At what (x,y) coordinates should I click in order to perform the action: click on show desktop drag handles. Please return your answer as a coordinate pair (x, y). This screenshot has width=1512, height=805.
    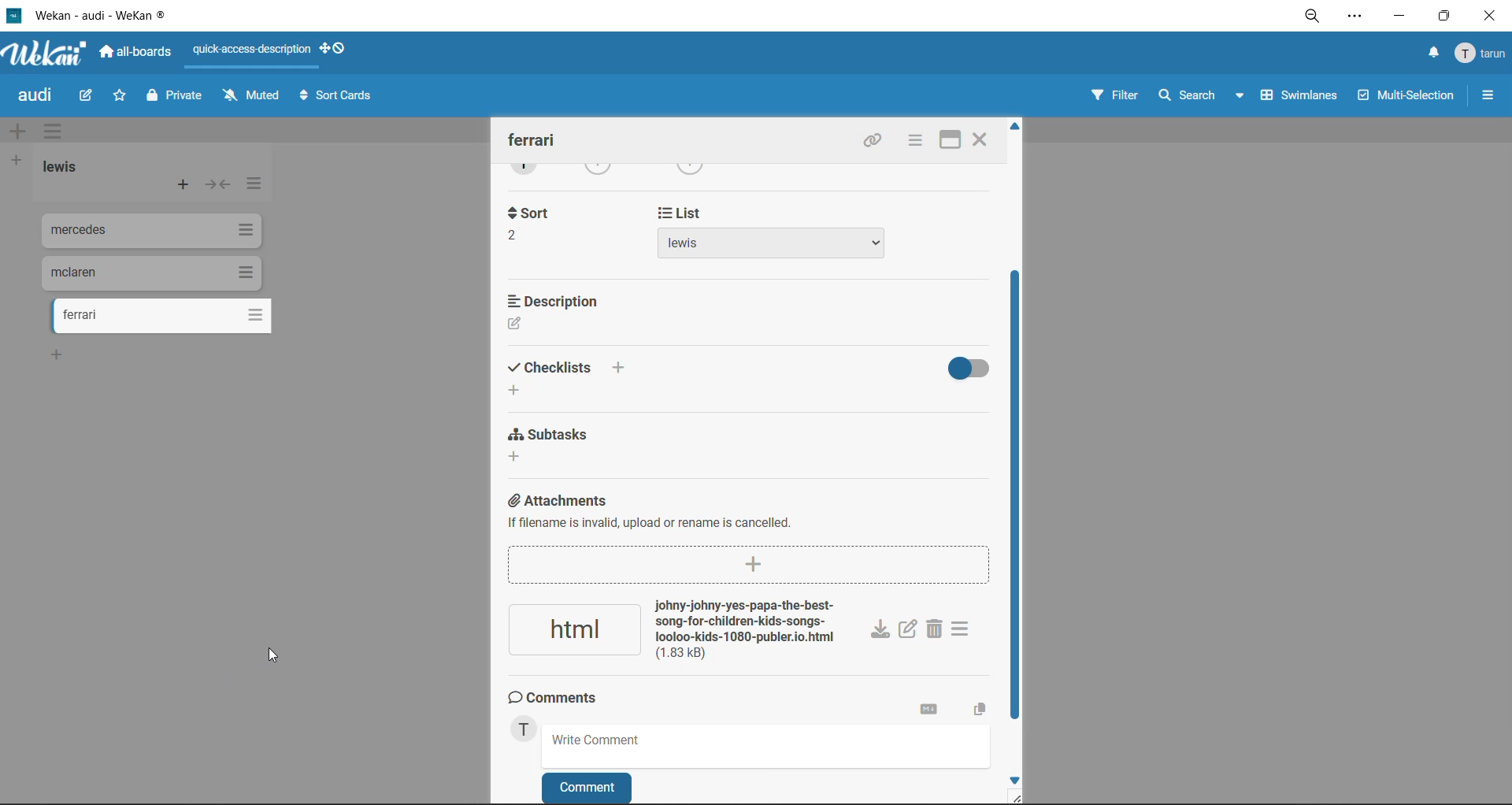
    Looking at the image, I should click on (335, 50).